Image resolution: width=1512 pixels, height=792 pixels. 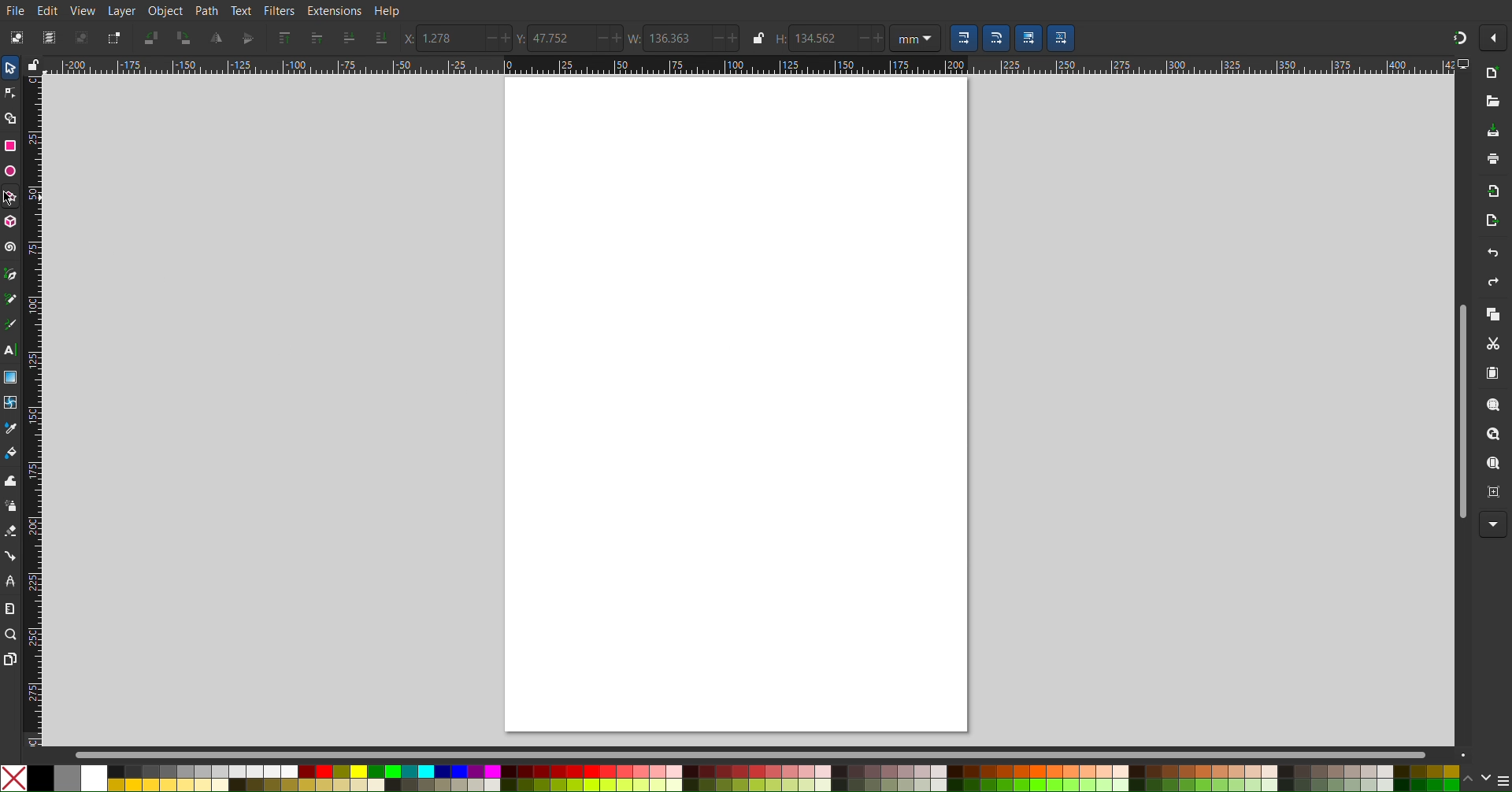 What do you see at coordinates (11, 144) in the screenshot?
I see `Rectangle Tool` at bounding box center [11, 144].